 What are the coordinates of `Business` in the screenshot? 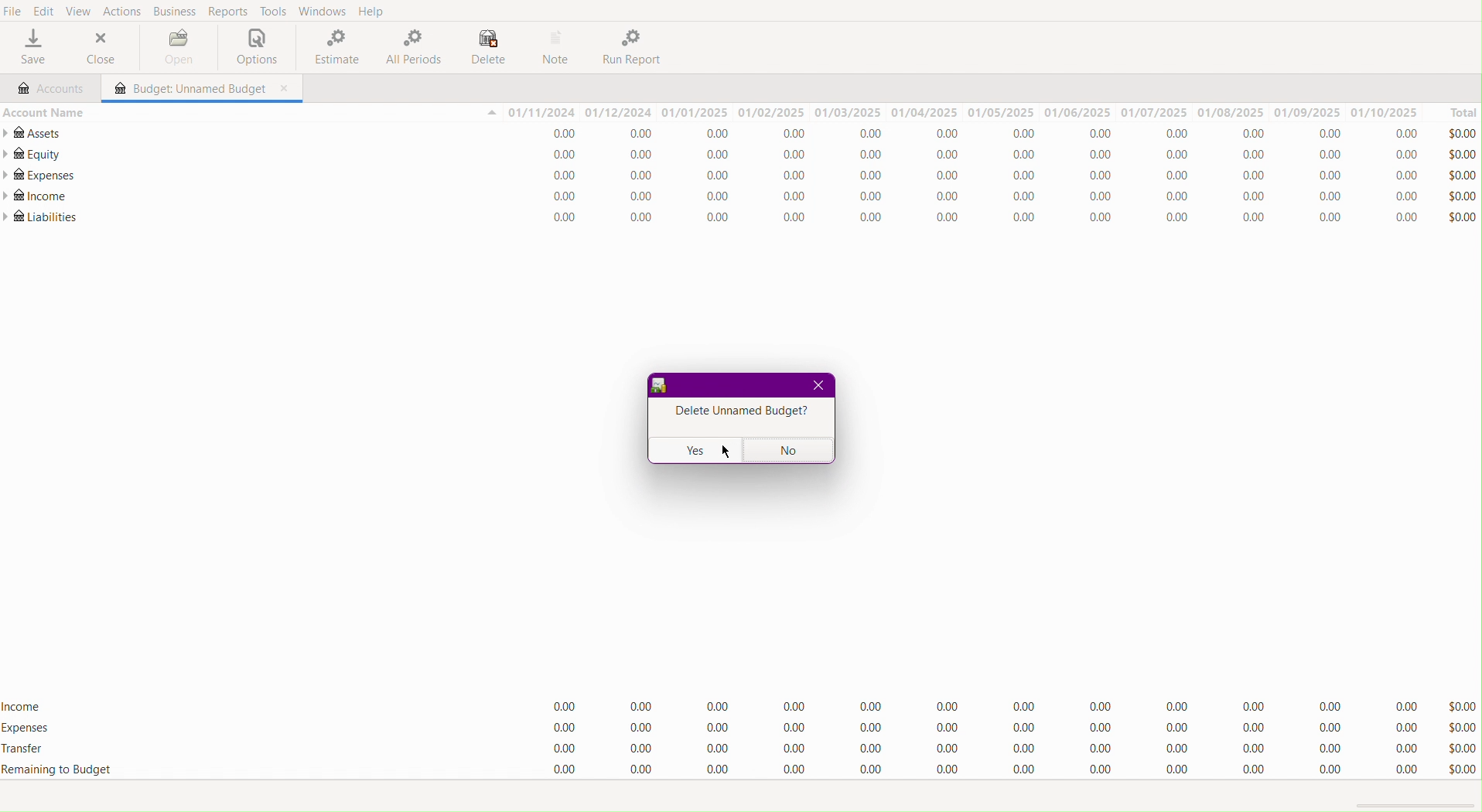 It's located at (176, 11).